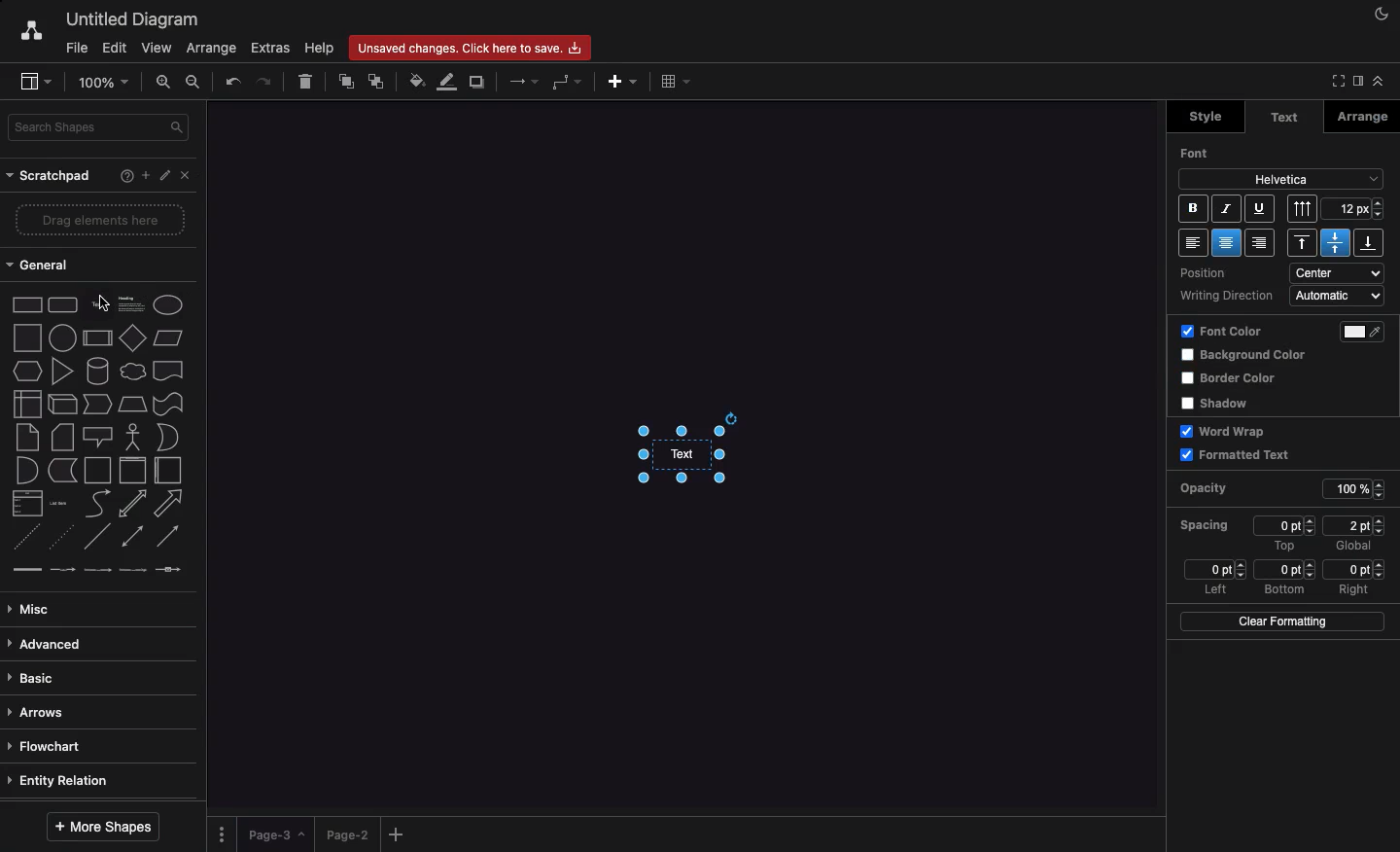 The image size is (1400, 852). I want to click on Position, so click(1216, 274).